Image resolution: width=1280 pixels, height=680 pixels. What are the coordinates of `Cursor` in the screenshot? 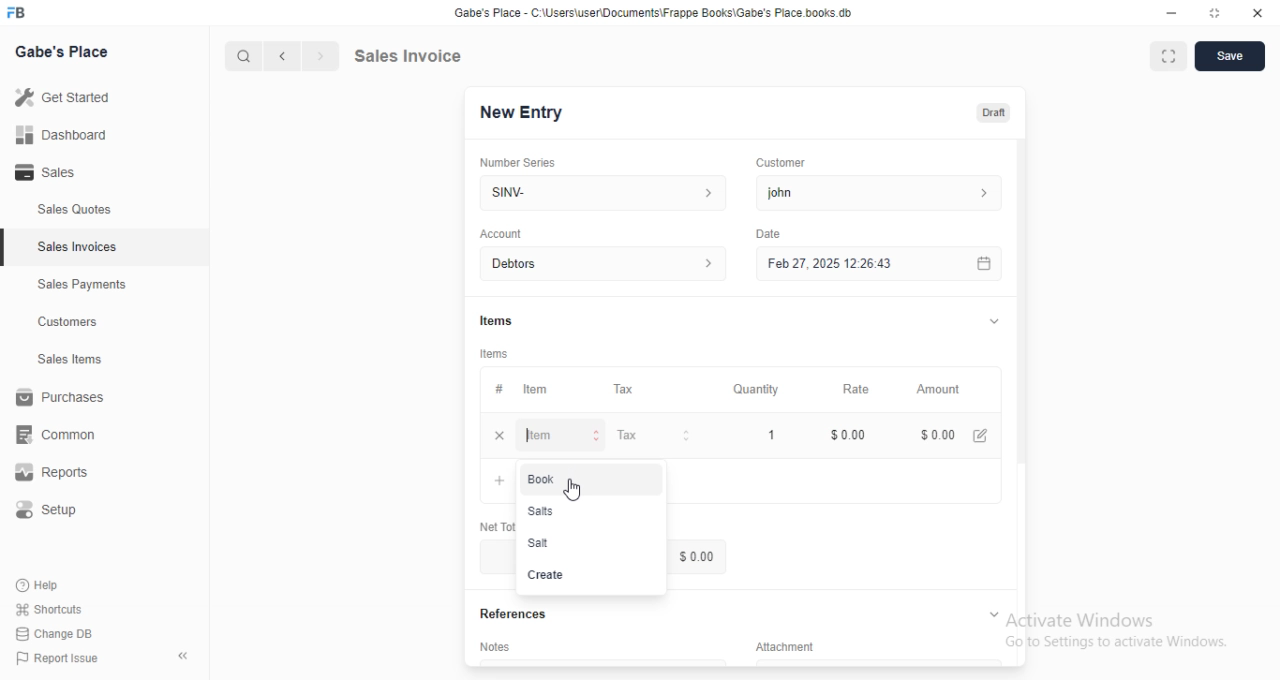 It's located at (577, 491).